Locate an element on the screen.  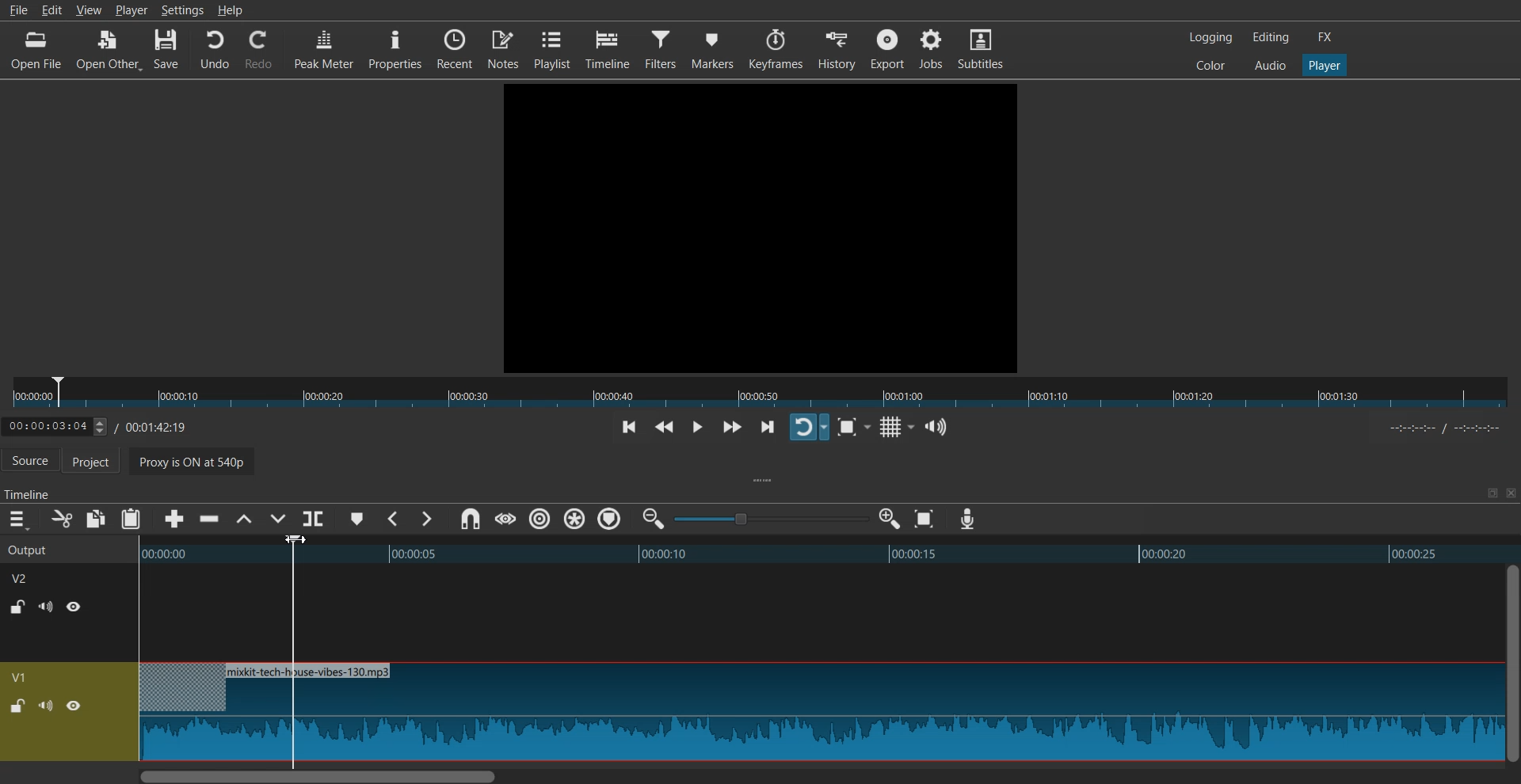
Hide is located at coordinates (74, 606).